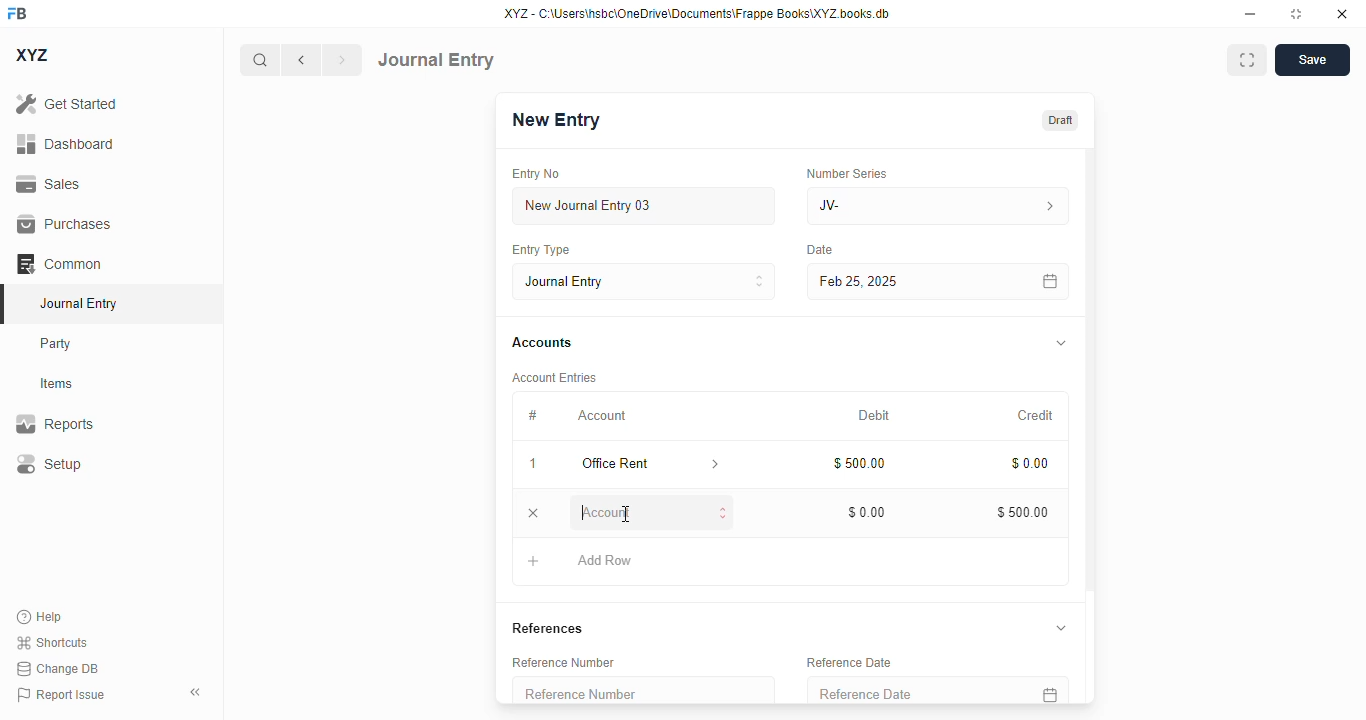 The height and width of the screenshot is (720, 1366). I want to click on calendar icon, so click(1048, 690).